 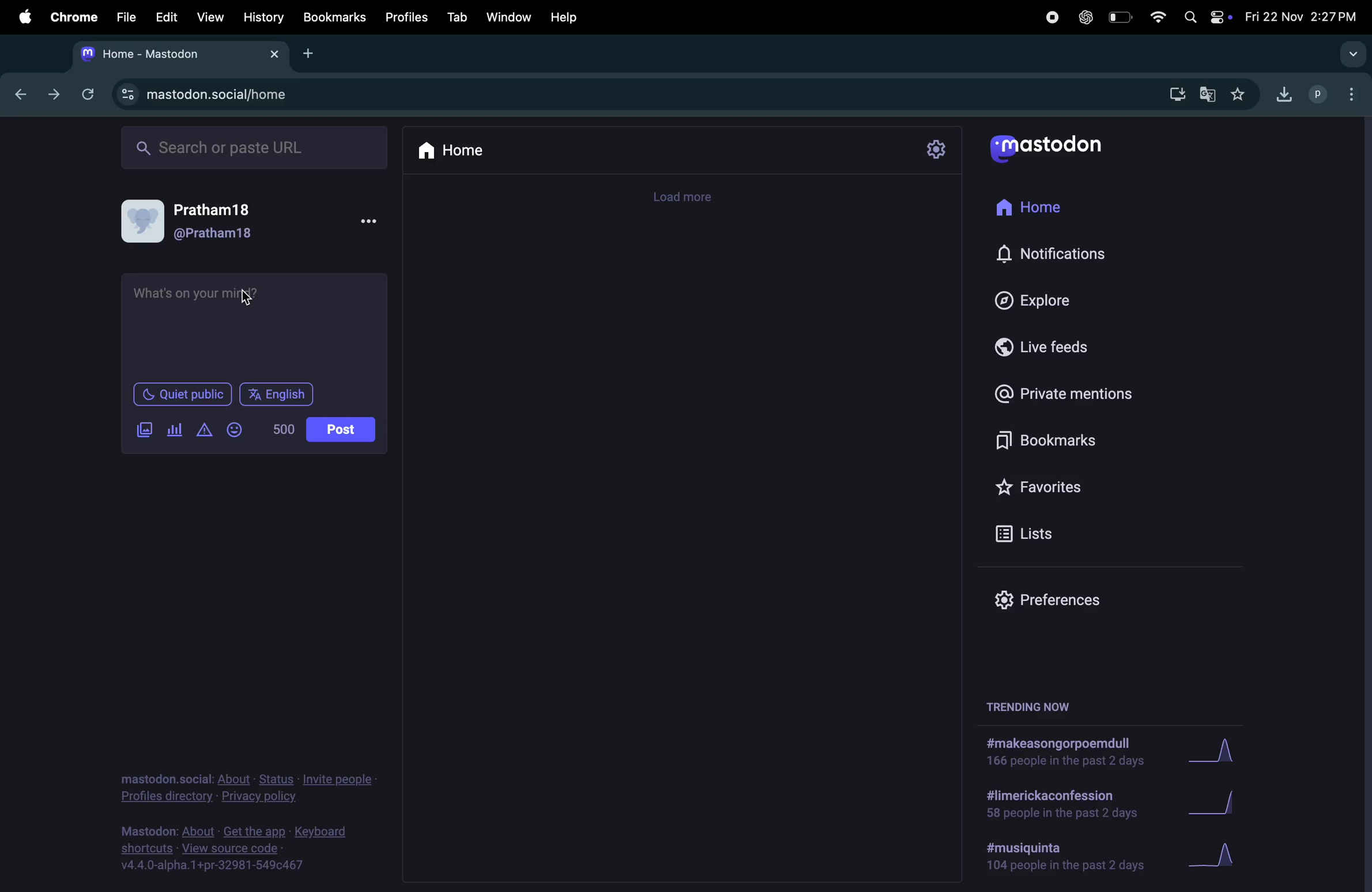 What do you see at coordinates (247, 789) in the screenshot?
I see `privacy an policy` at bounding box center [247, 789].